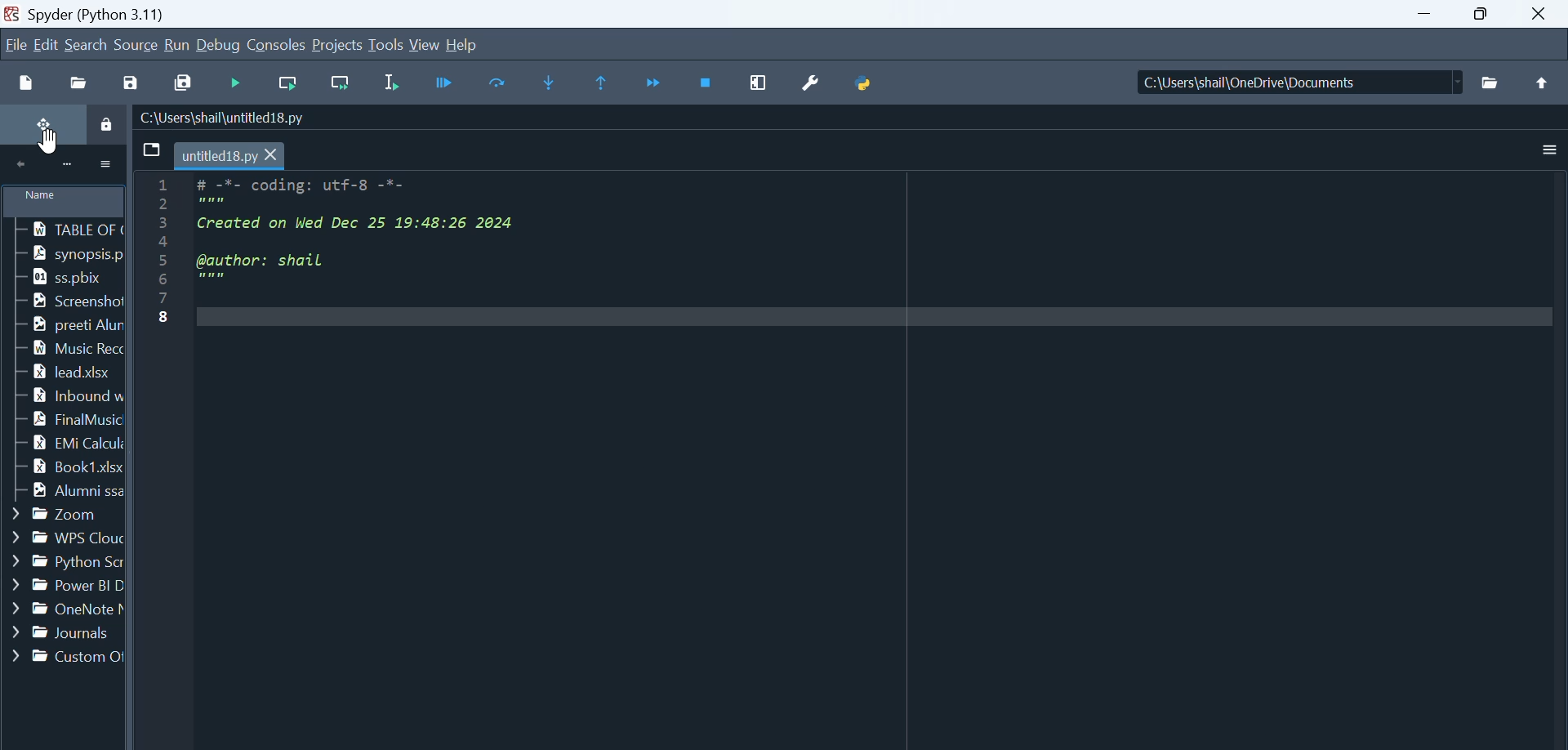 The image size is (1568, 750). What do you see at coordinates (461, 42) in the screenshot?
I see `Help` at bounding box center [461, 42].